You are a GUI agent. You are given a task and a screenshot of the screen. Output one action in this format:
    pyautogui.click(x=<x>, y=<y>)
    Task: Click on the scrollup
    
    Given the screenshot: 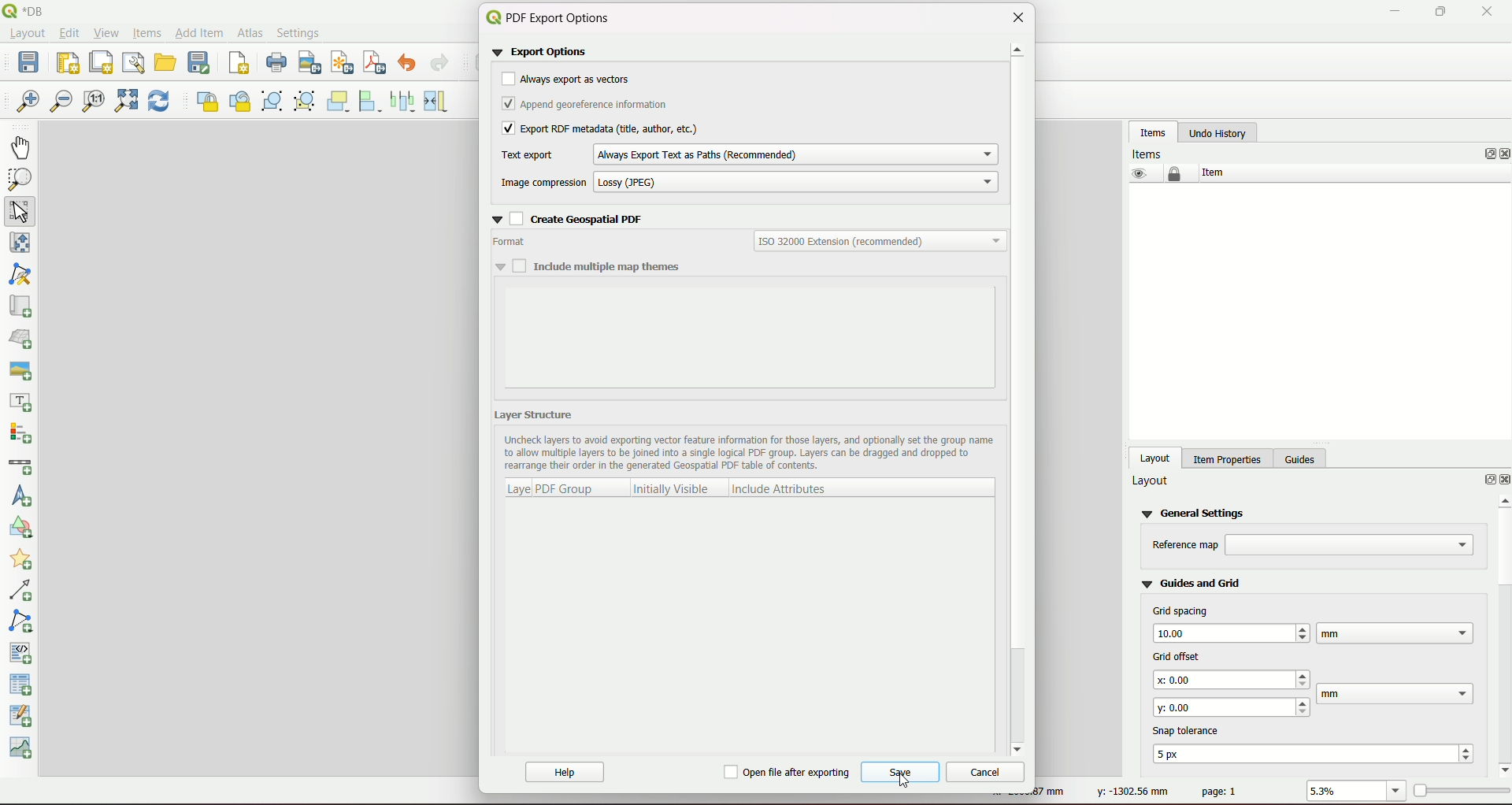 What is the action you would take?
    pyautogui.click(x=1018, y=52)
    